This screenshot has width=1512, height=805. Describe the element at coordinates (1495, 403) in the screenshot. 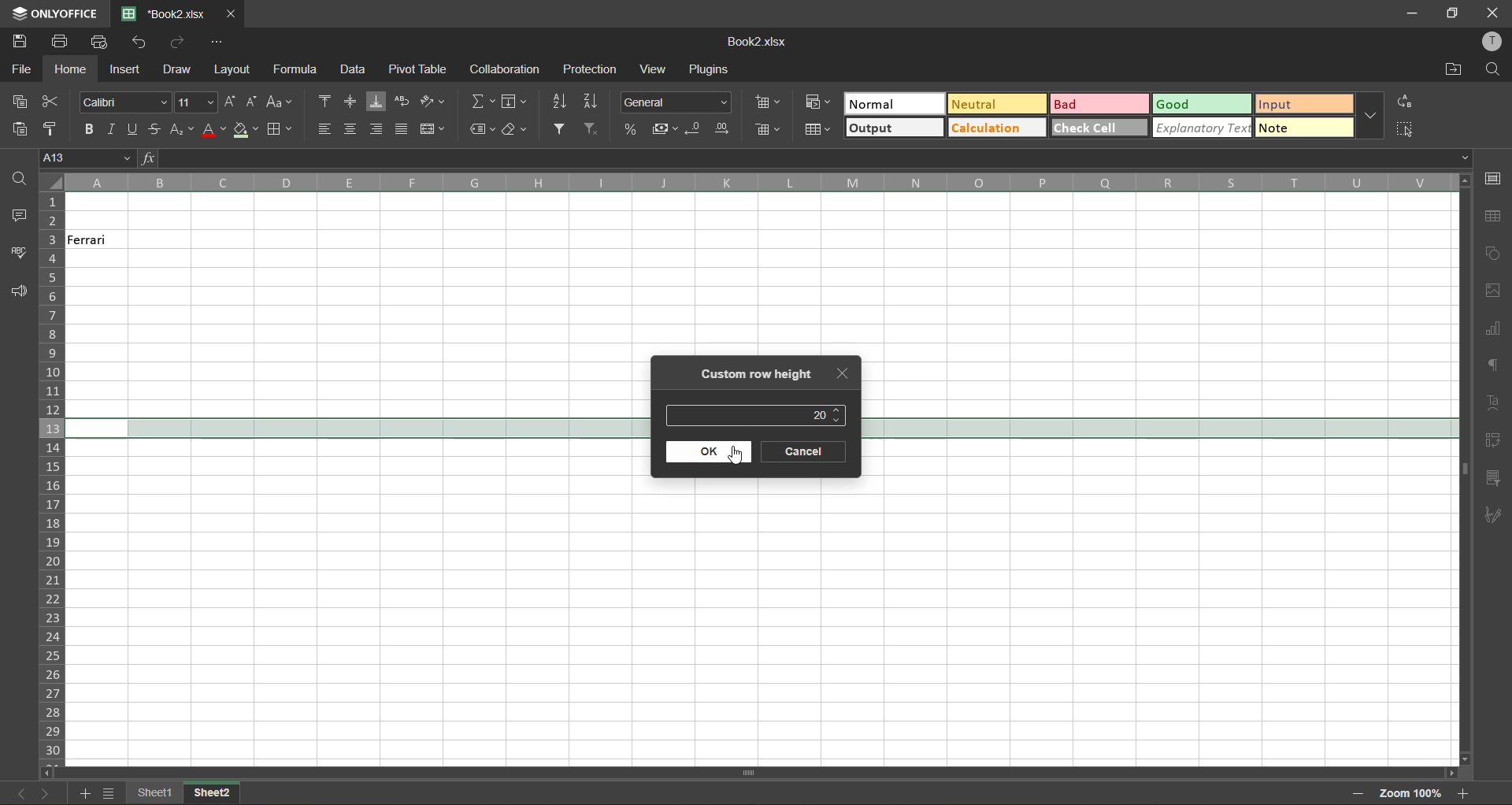

I see `text` at that location.